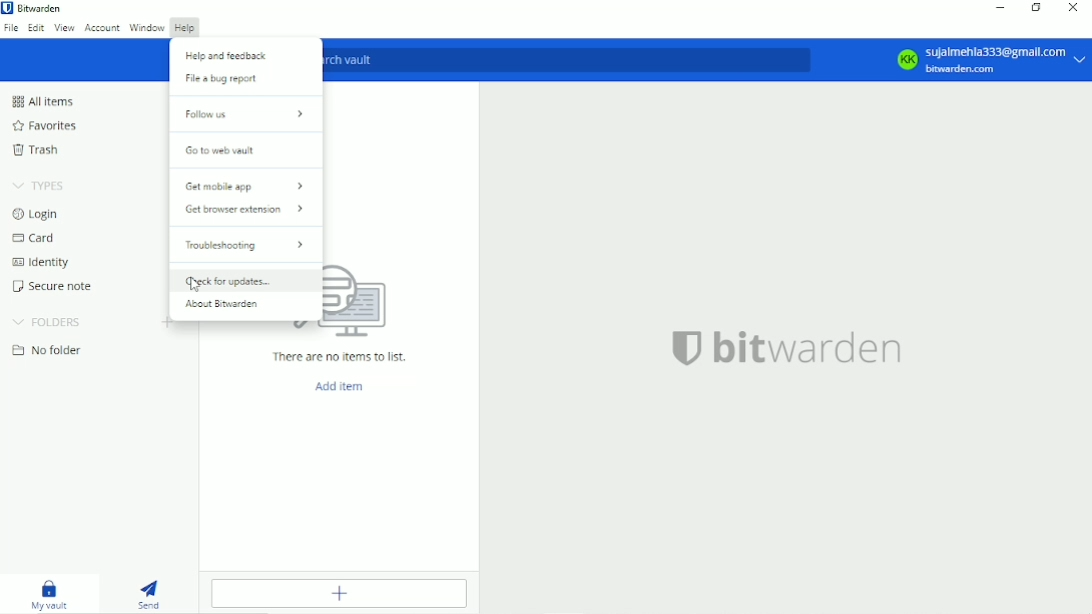 The image size is (1092, 614). I want to click on Get mobile app >, so click(245, 187).